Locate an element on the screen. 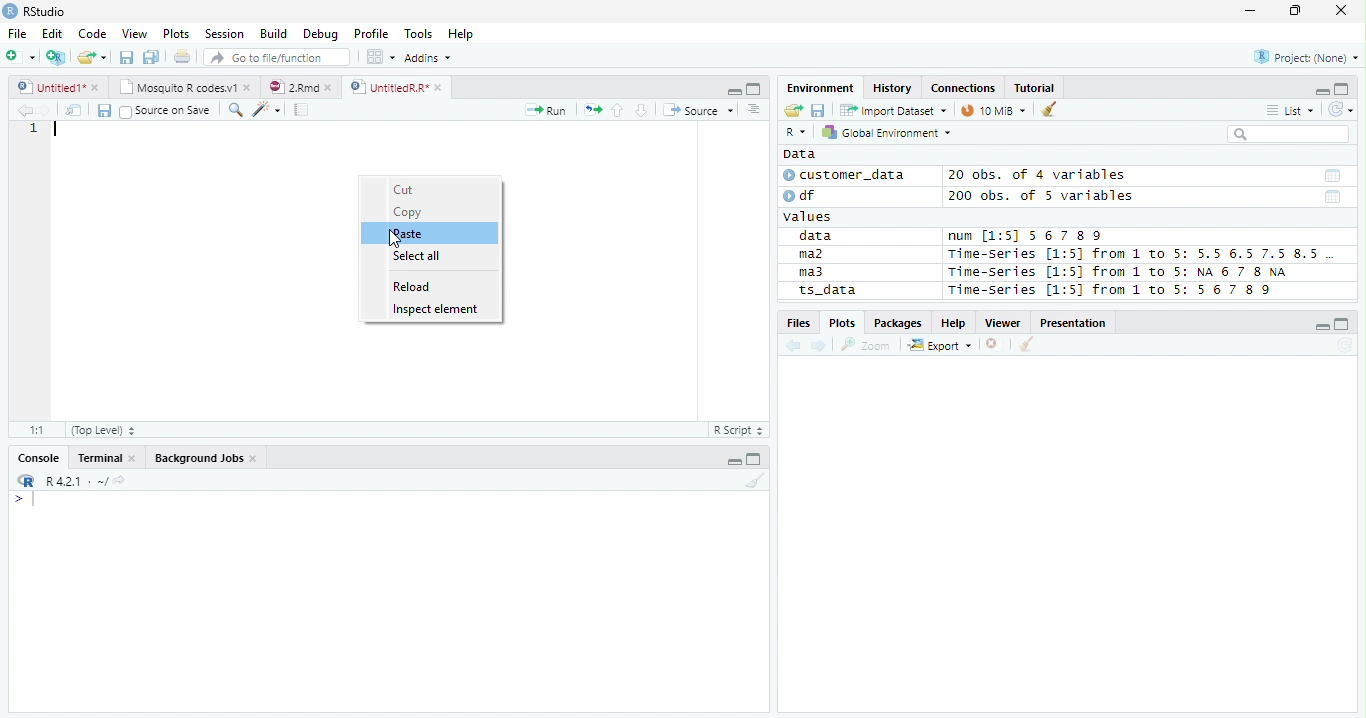 This screenshot has width=1366, height=718. Time-Series [1:5] from 1 to 5: 56 7 8 9 is located at coordinates (1112, 290).